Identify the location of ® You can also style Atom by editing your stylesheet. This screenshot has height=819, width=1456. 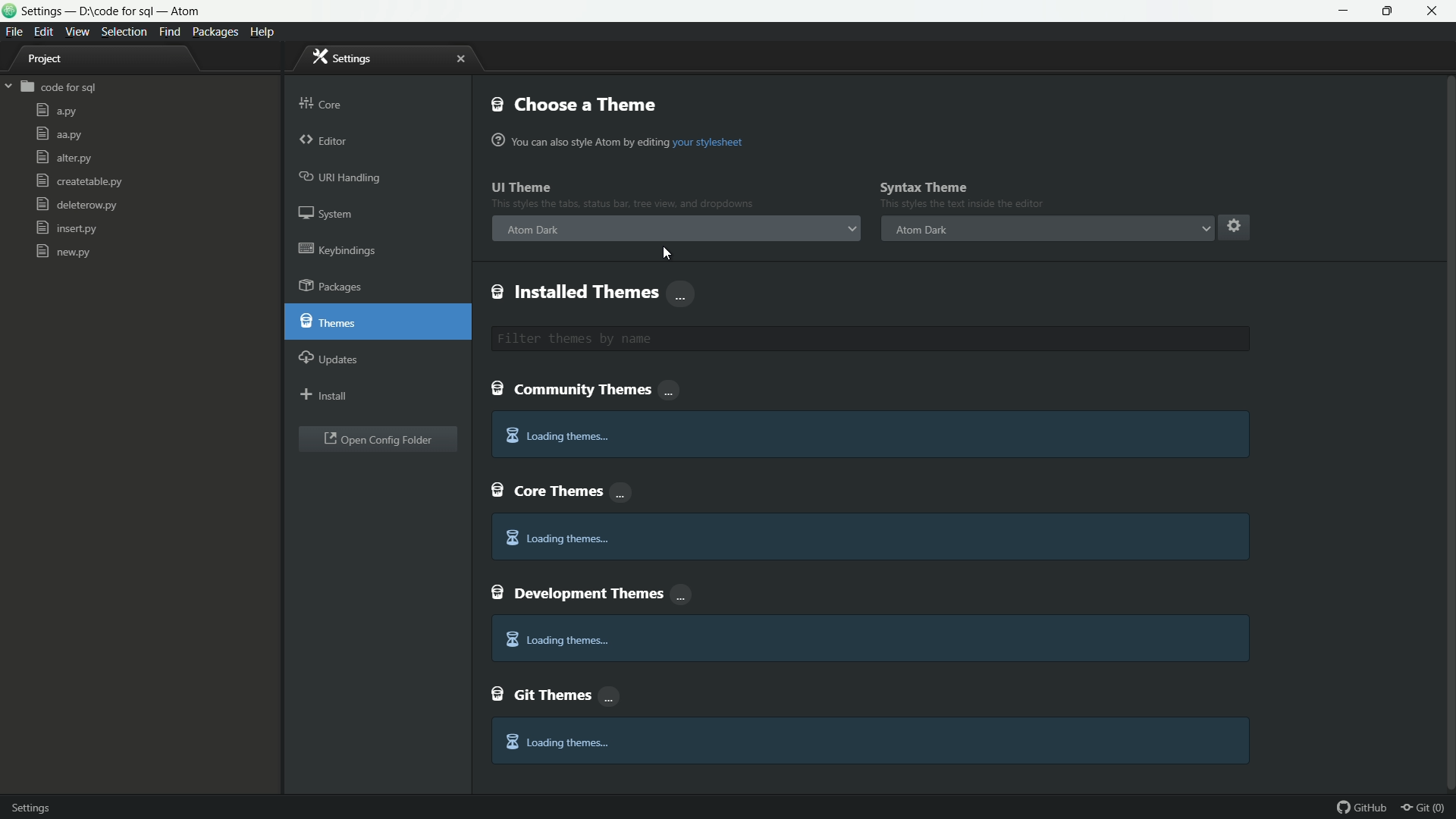
(620, 140).